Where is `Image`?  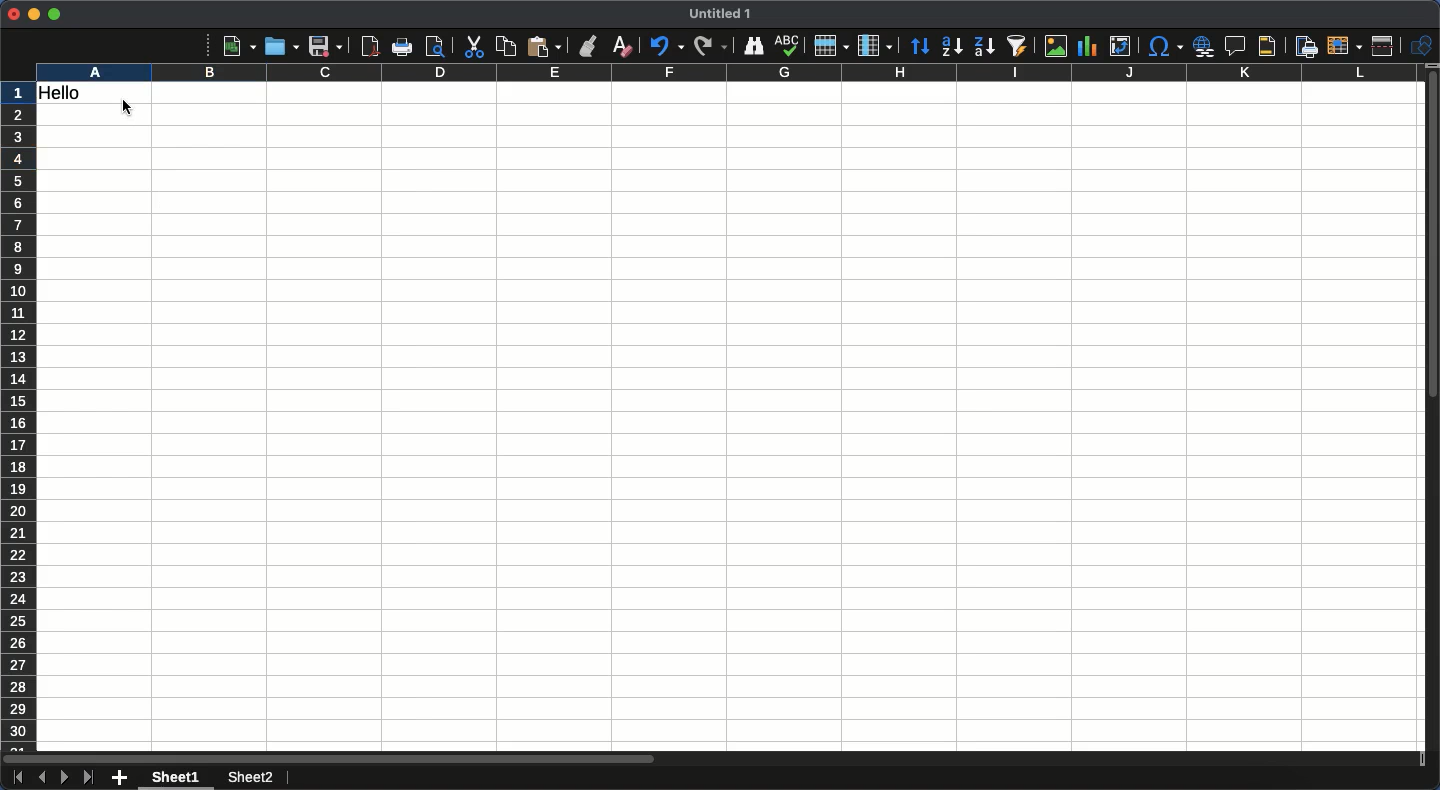
Image is located at coordinates (1051, 46).